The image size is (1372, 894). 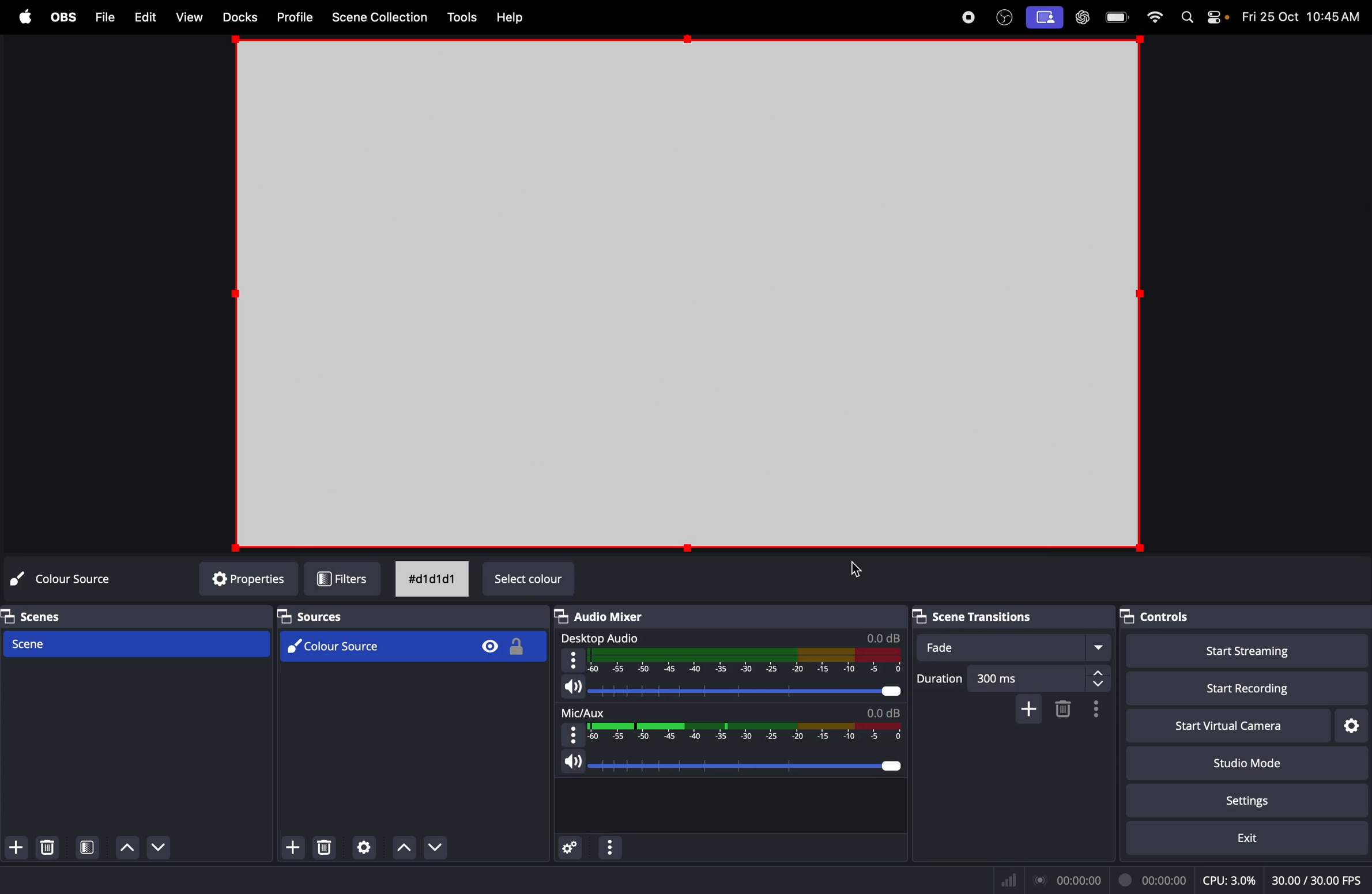 I want to click on Sources, so click(x=311, y=616).